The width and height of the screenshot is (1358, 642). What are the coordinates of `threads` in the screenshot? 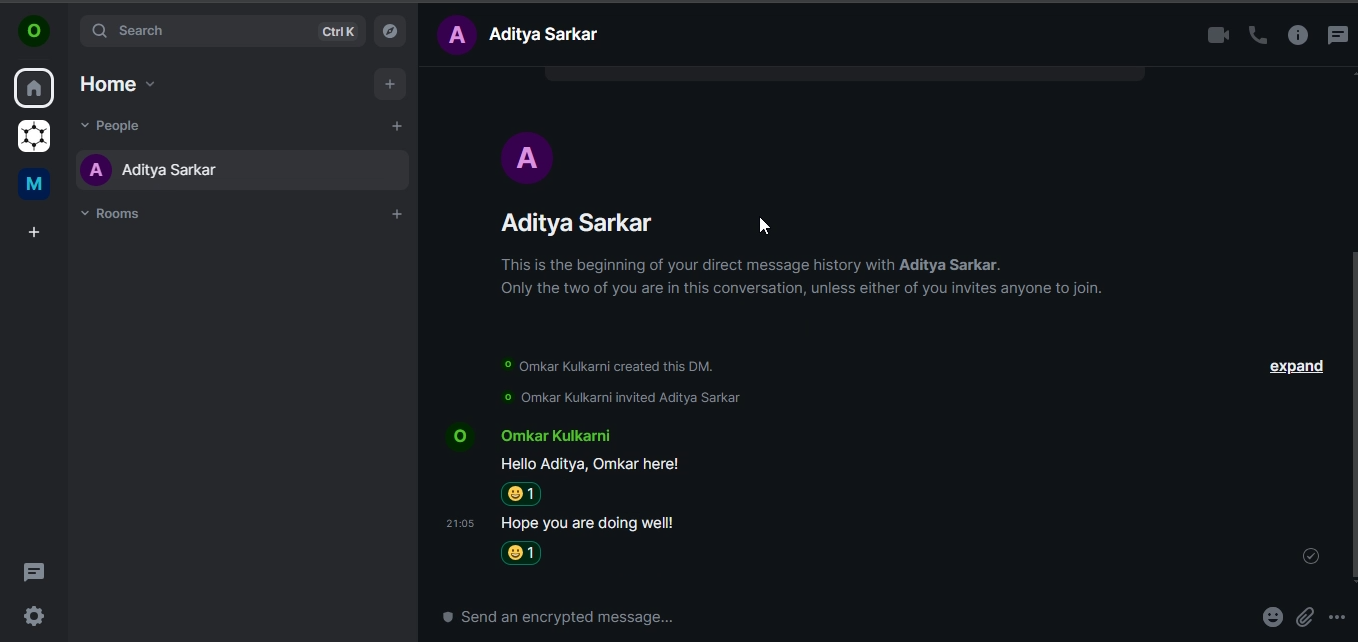 It's located at (1338, 33).